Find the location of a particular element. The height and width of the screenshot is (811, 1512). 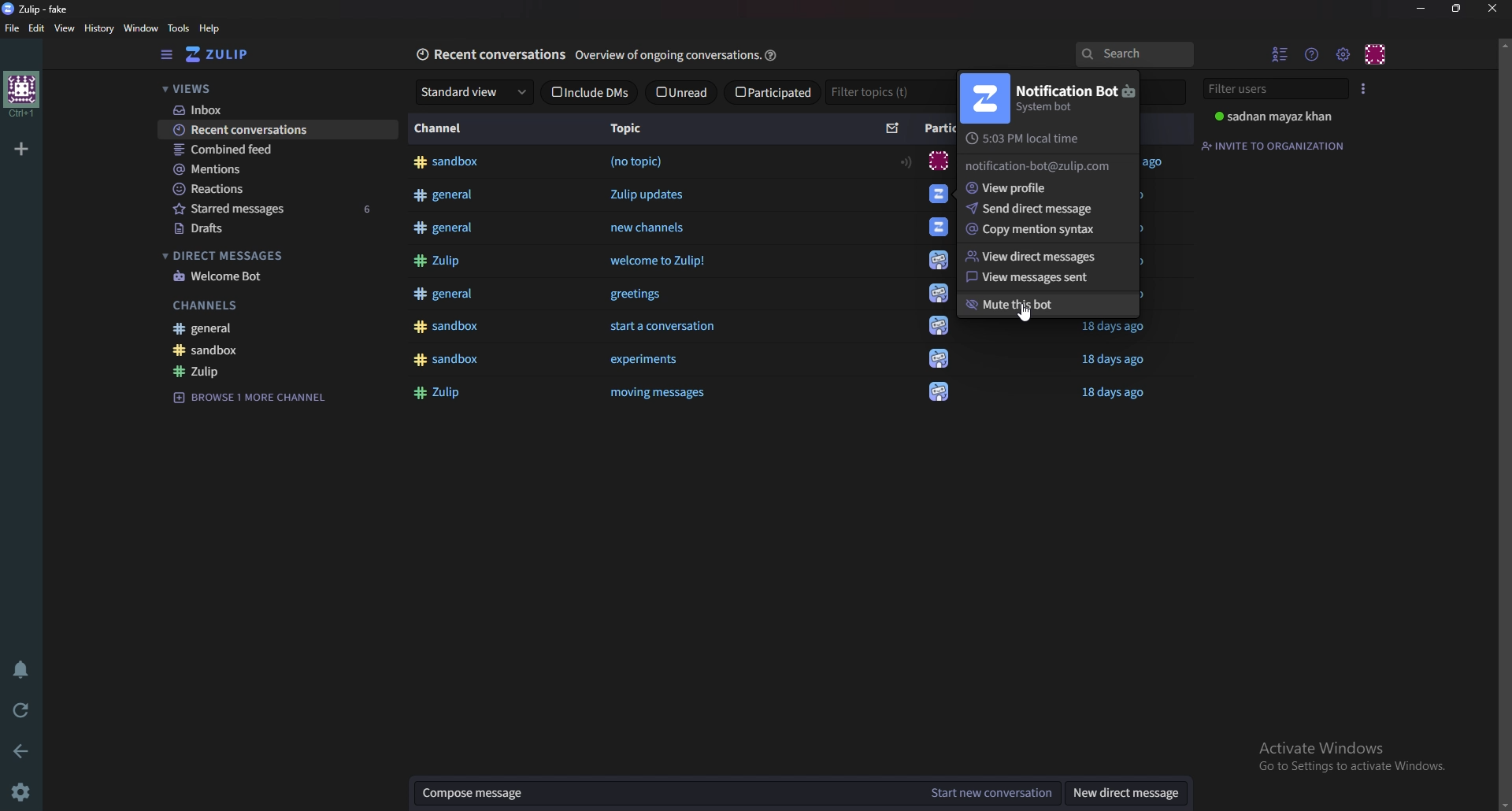

View messages sent is located at coordinates (1033, 277).